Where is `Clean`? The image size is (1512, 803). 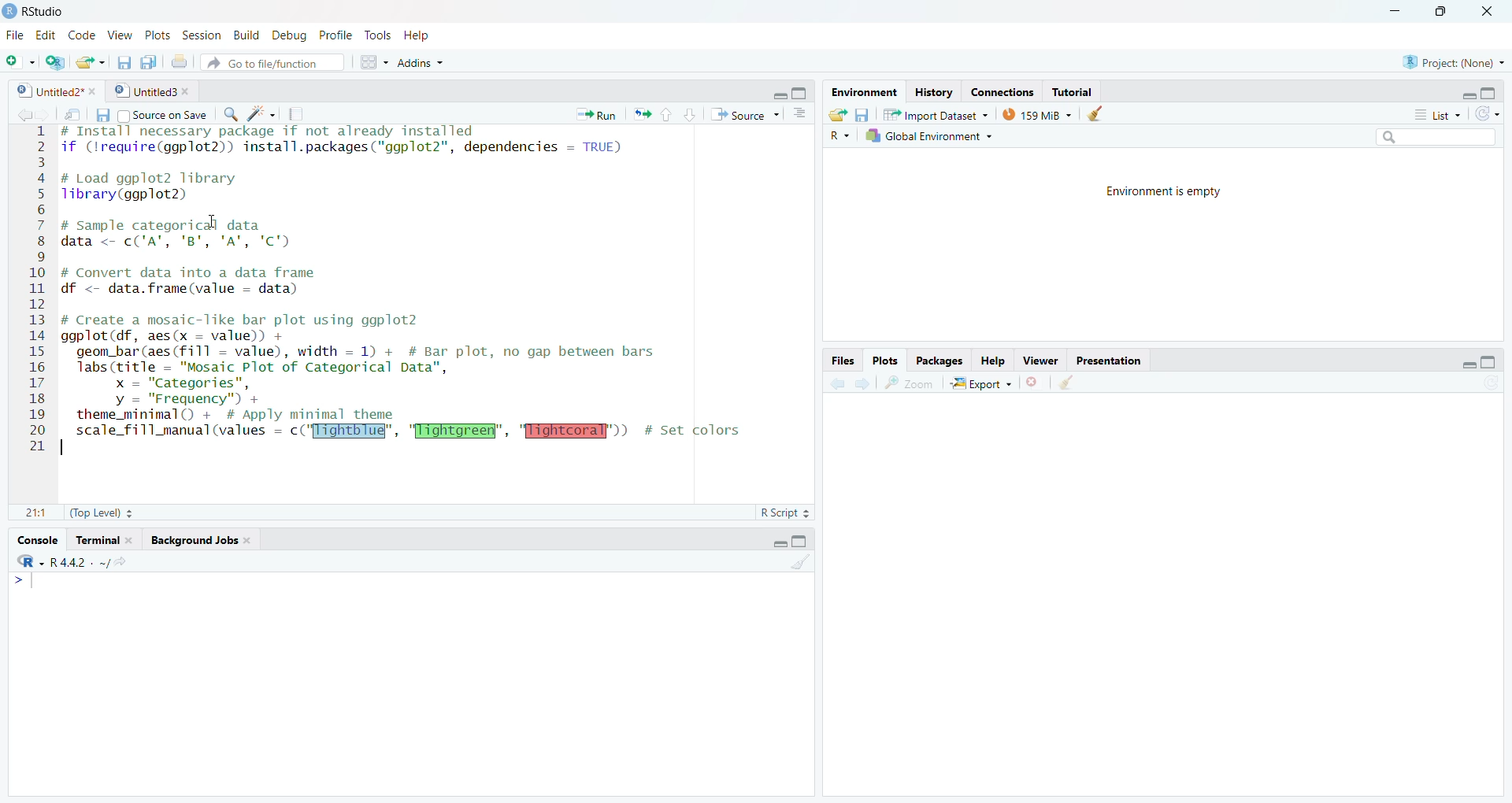
Clean is located at coordinates (1067, 383).